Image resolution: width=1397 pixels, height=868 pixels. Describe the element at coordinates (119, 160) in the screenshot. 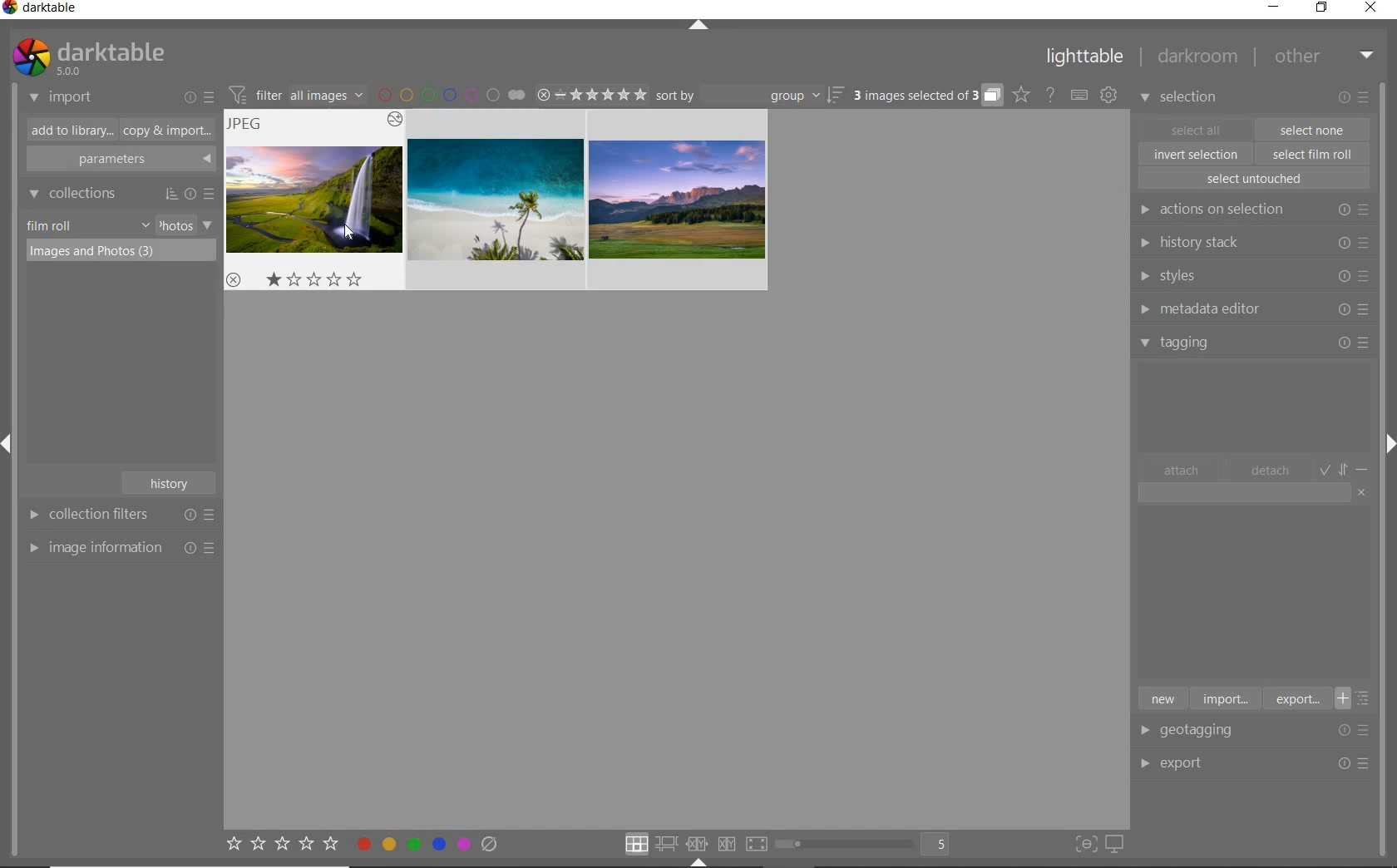

I see `parameters` at that location.